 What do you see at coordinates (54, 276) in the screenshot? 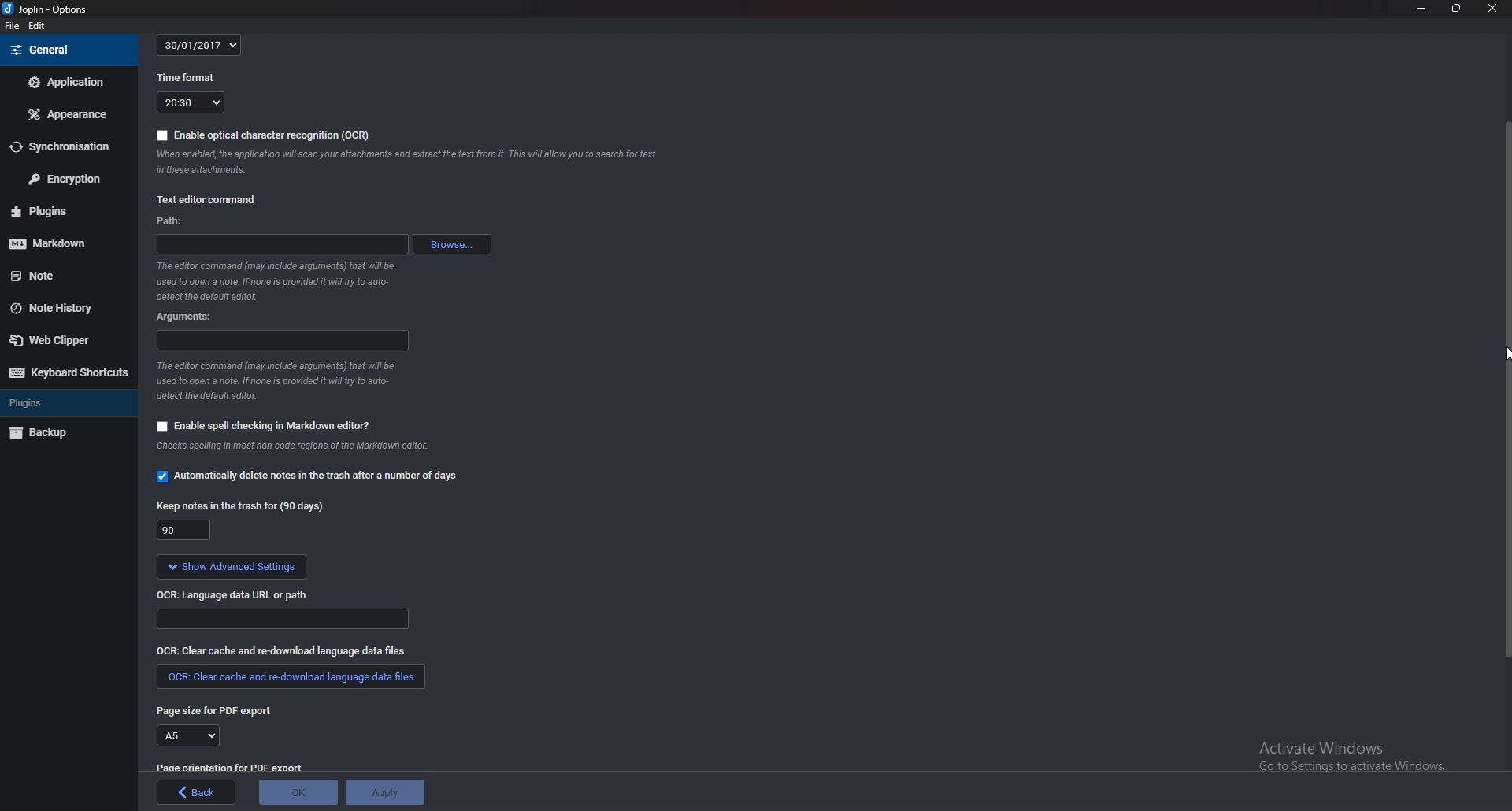
I see `note` at bounding box center [54, 276].